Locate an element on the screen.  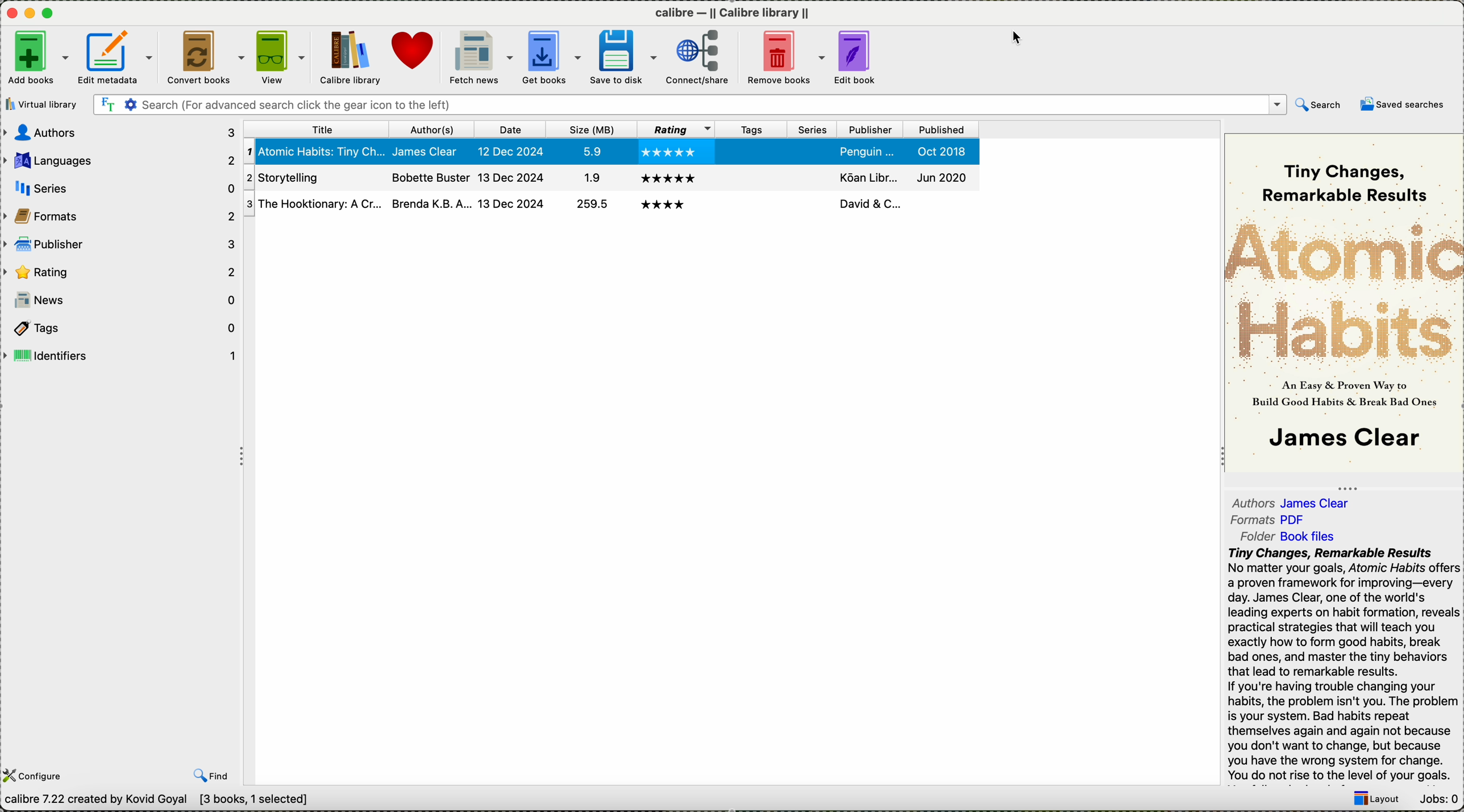
series is located at coordinates (813, 130).